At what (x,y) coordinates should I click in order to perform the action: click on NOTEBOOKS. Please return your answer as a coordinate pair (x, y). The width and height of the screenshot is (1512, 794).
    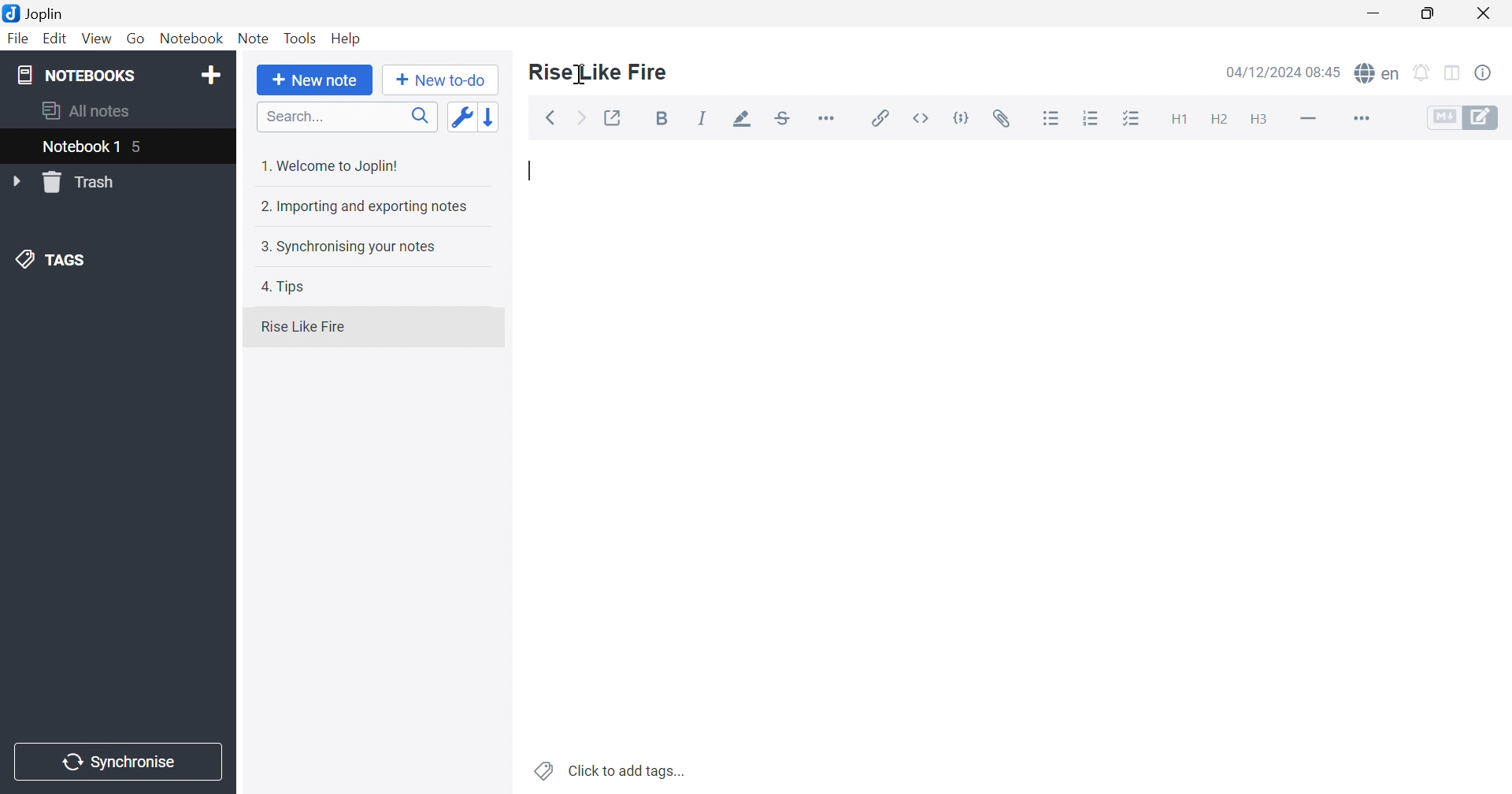
    Looking at the image, I should click on (74, 76).